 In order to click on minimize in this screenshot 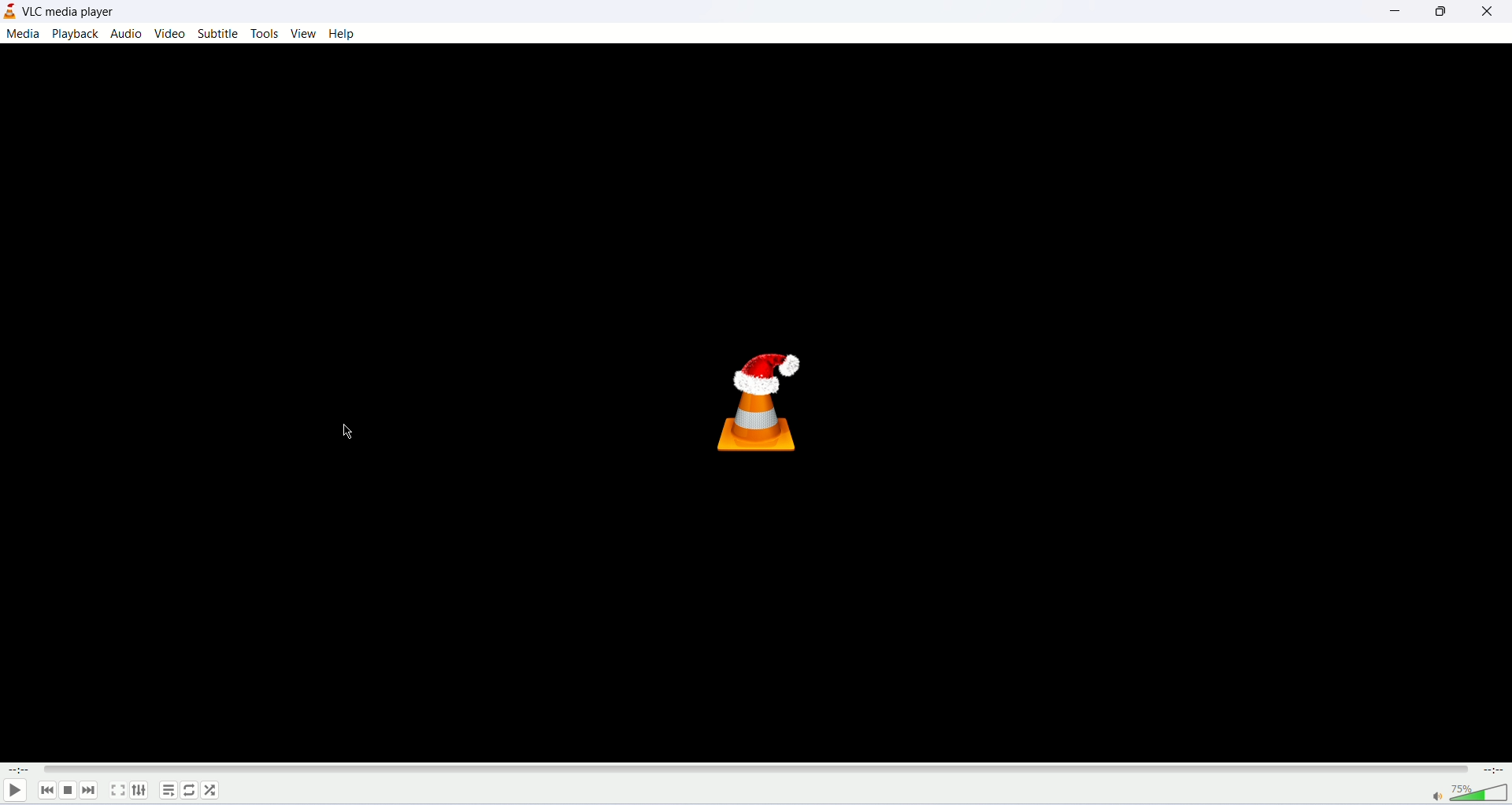, I will do `click(1400, 9)`.